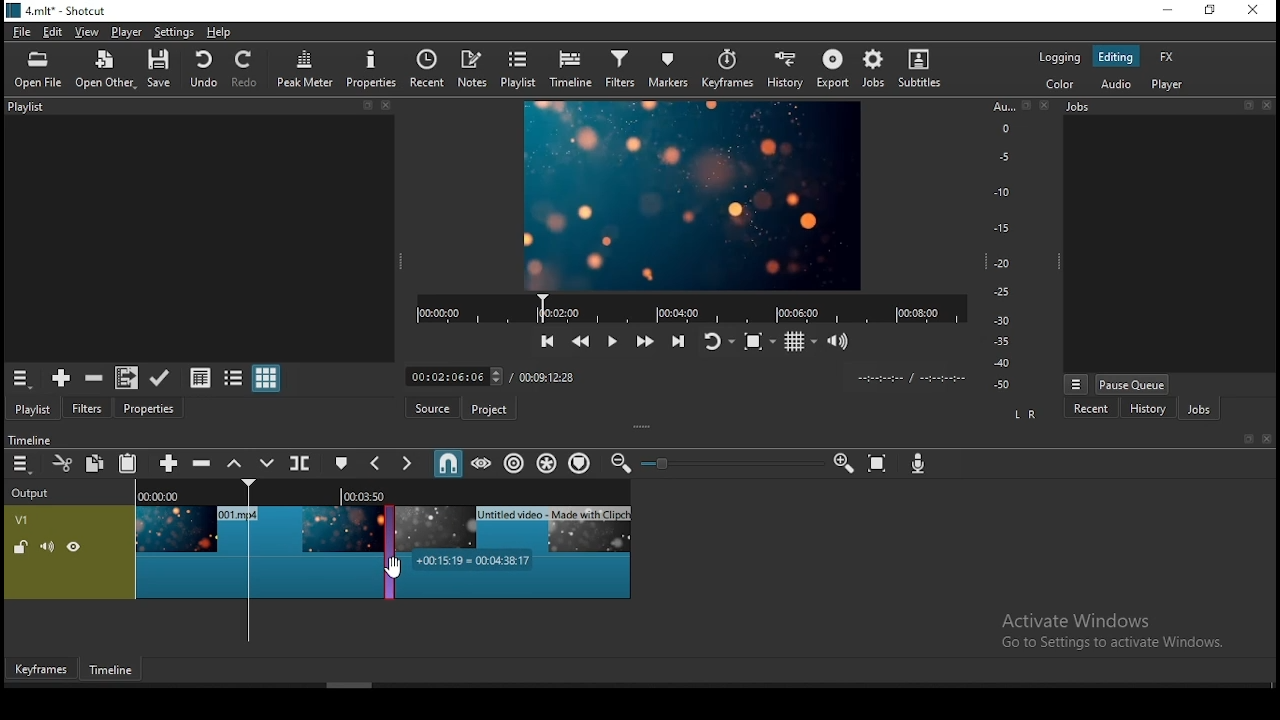 The width and height of the screenshot is (1280, 720). Describe the element at coordinates (918, 464) in the screenshot. I see `record audio` at that location.